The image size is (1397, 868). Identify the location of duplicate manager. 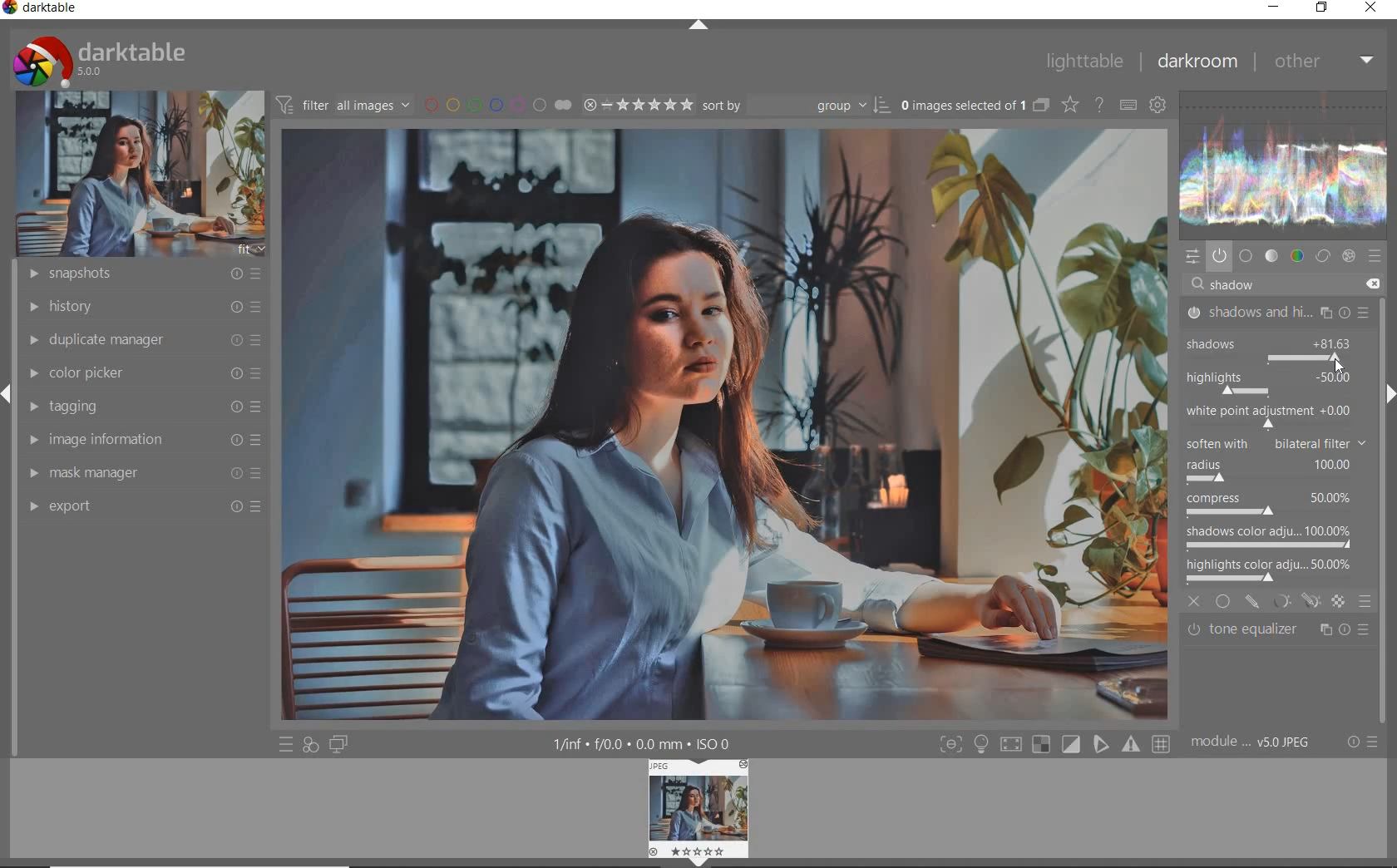
(141, 340).